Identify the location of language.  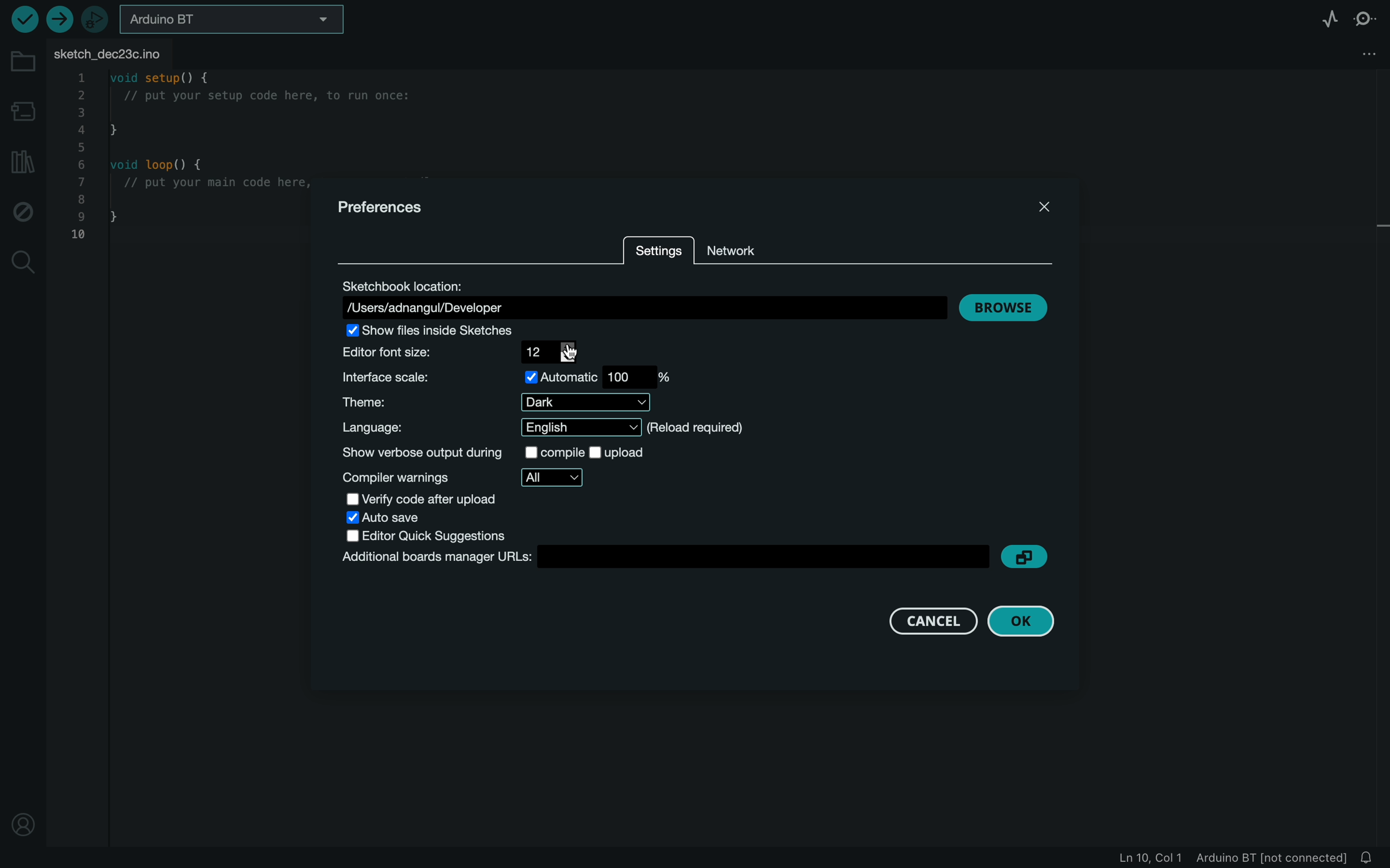
(549, 428).